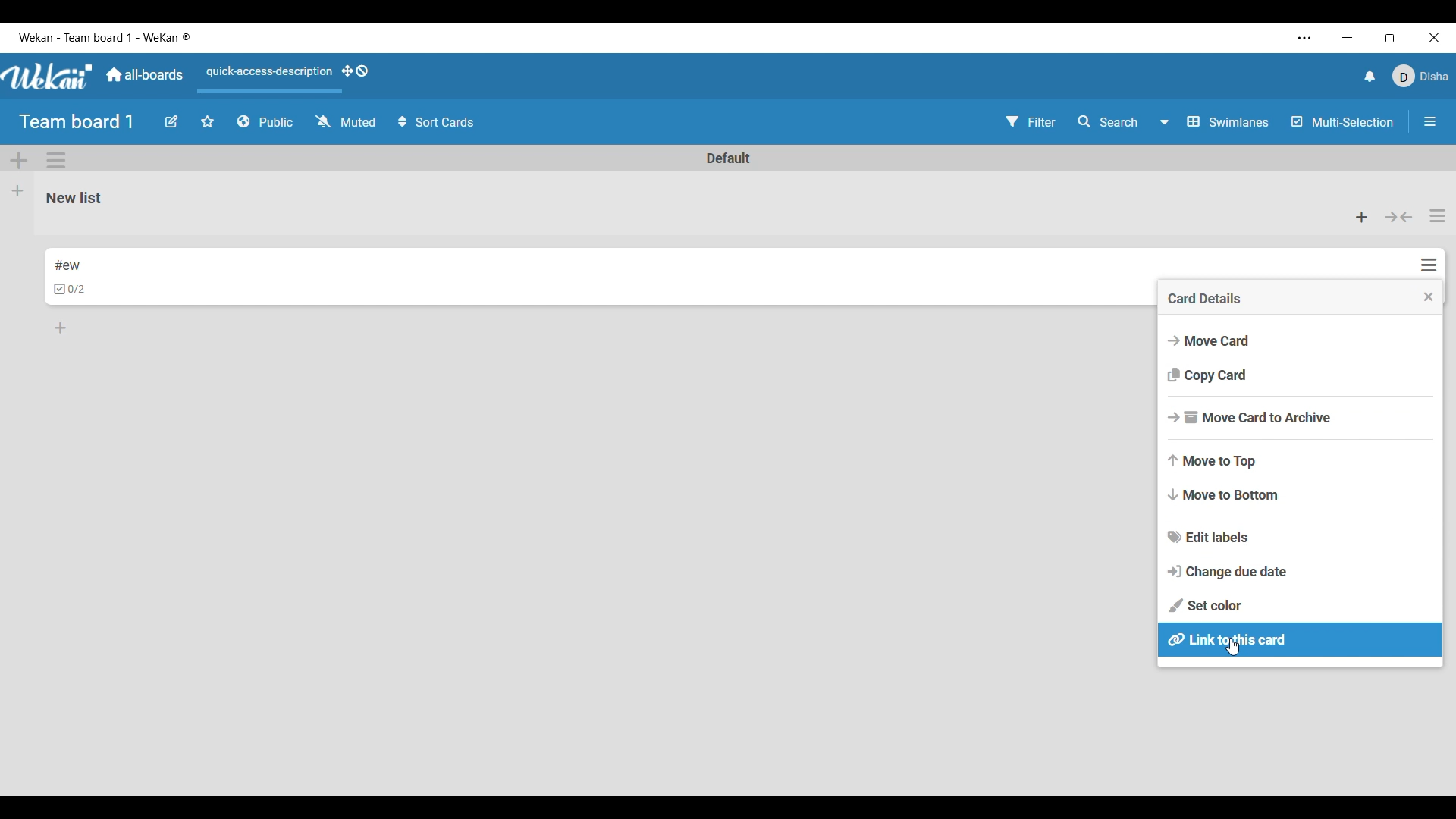 The width and height of the screenshot is (1456, 819). I want to click on Software and board name, so click(105, 37).